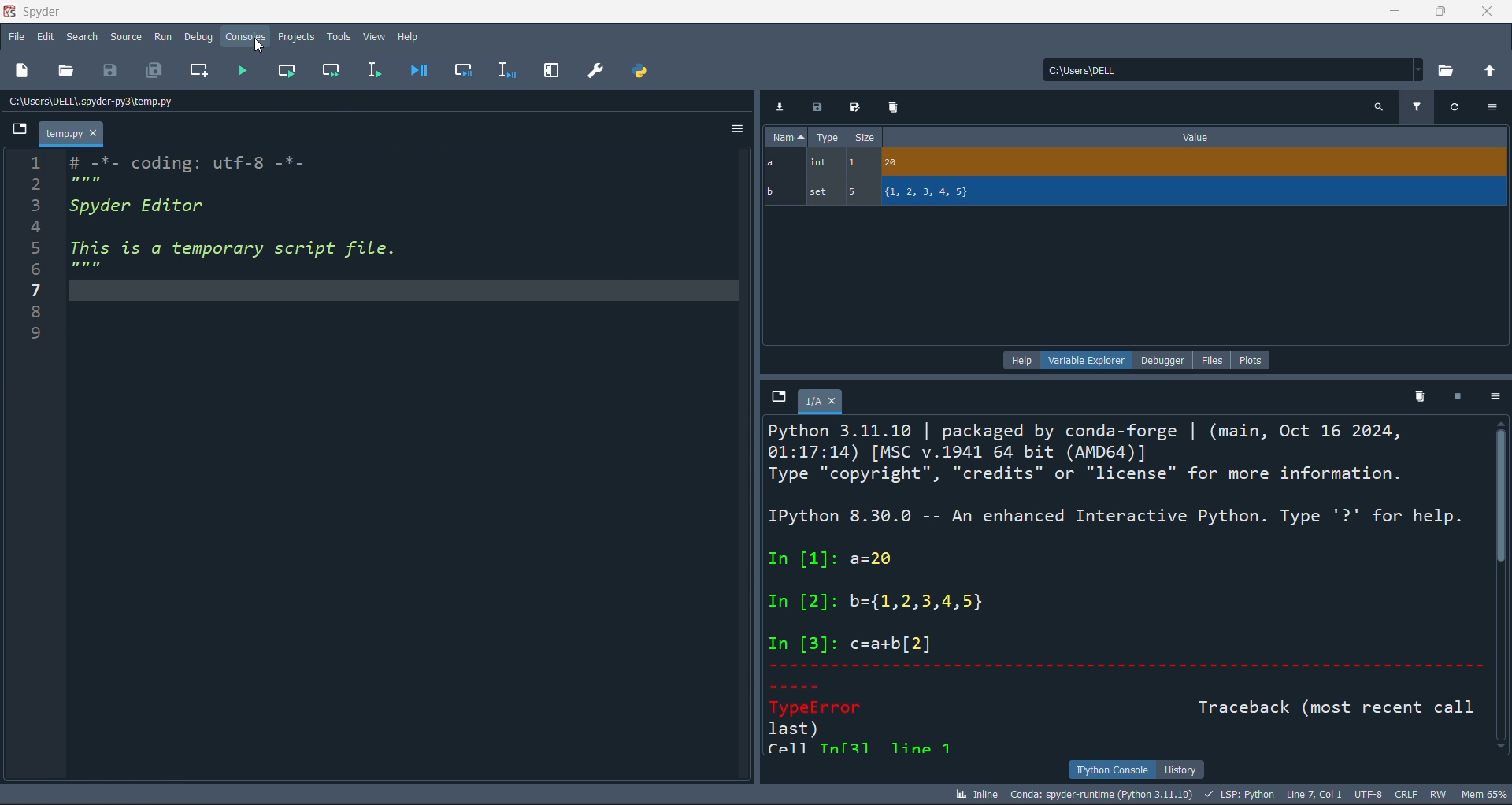 The height and width of the screenshot is (805, 1512). I want to click on debug line, so click(506, 69).